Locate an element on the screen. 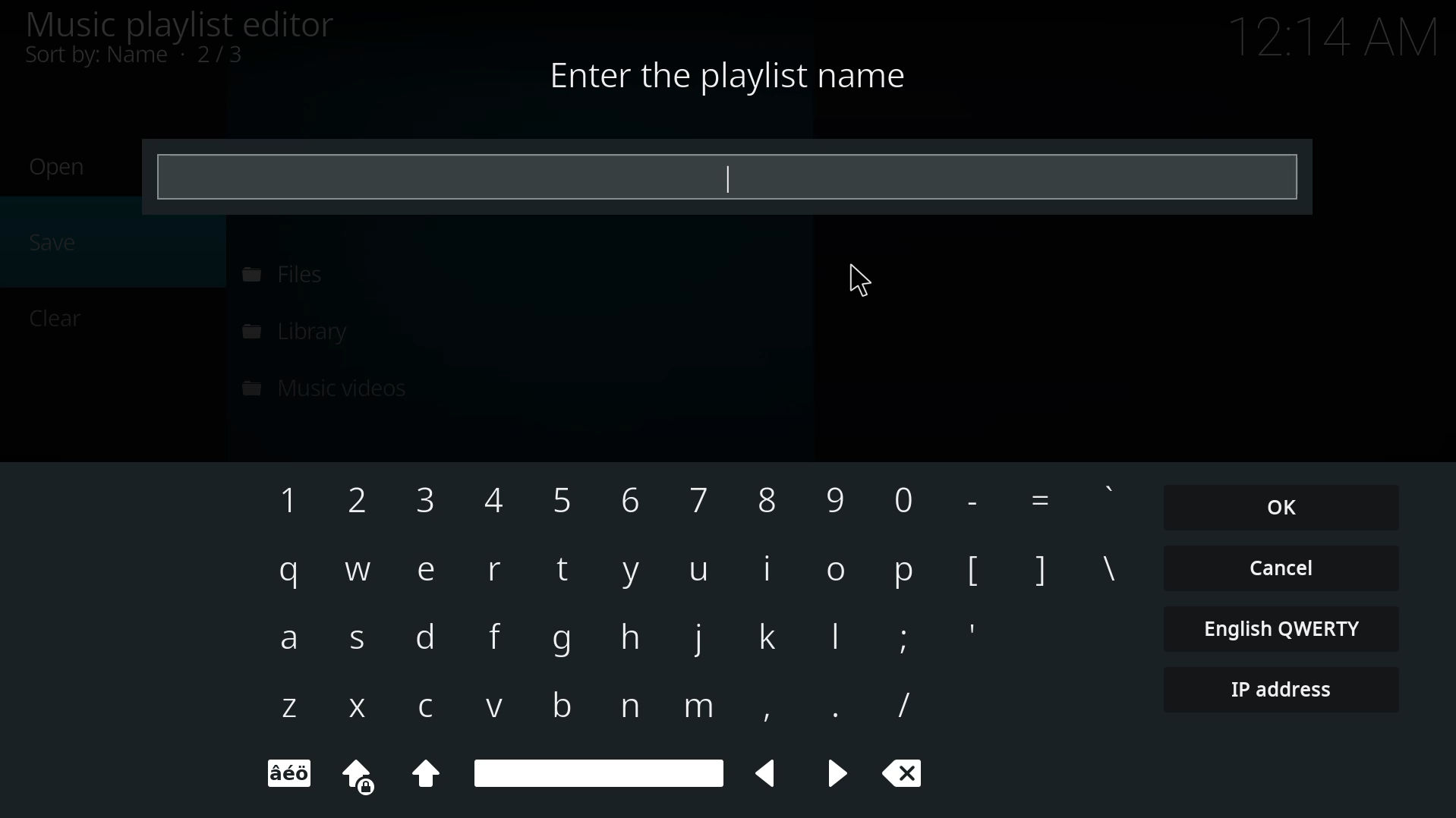 The image size is (1456, 818). library is located at coordinates (304, 331).